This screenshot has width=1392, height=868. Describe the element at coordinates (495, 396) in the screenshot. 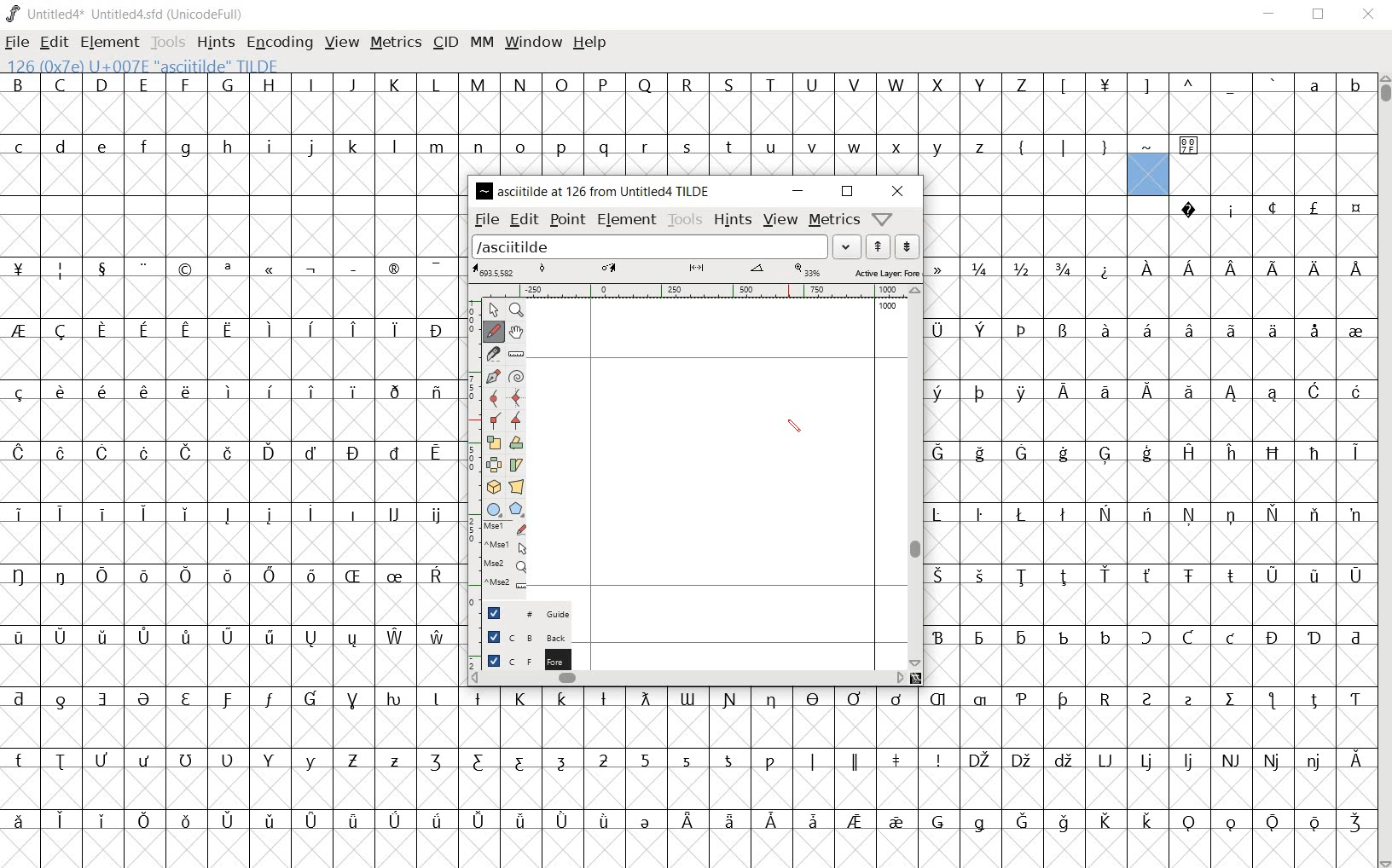

I see `add a curve point` at that location.